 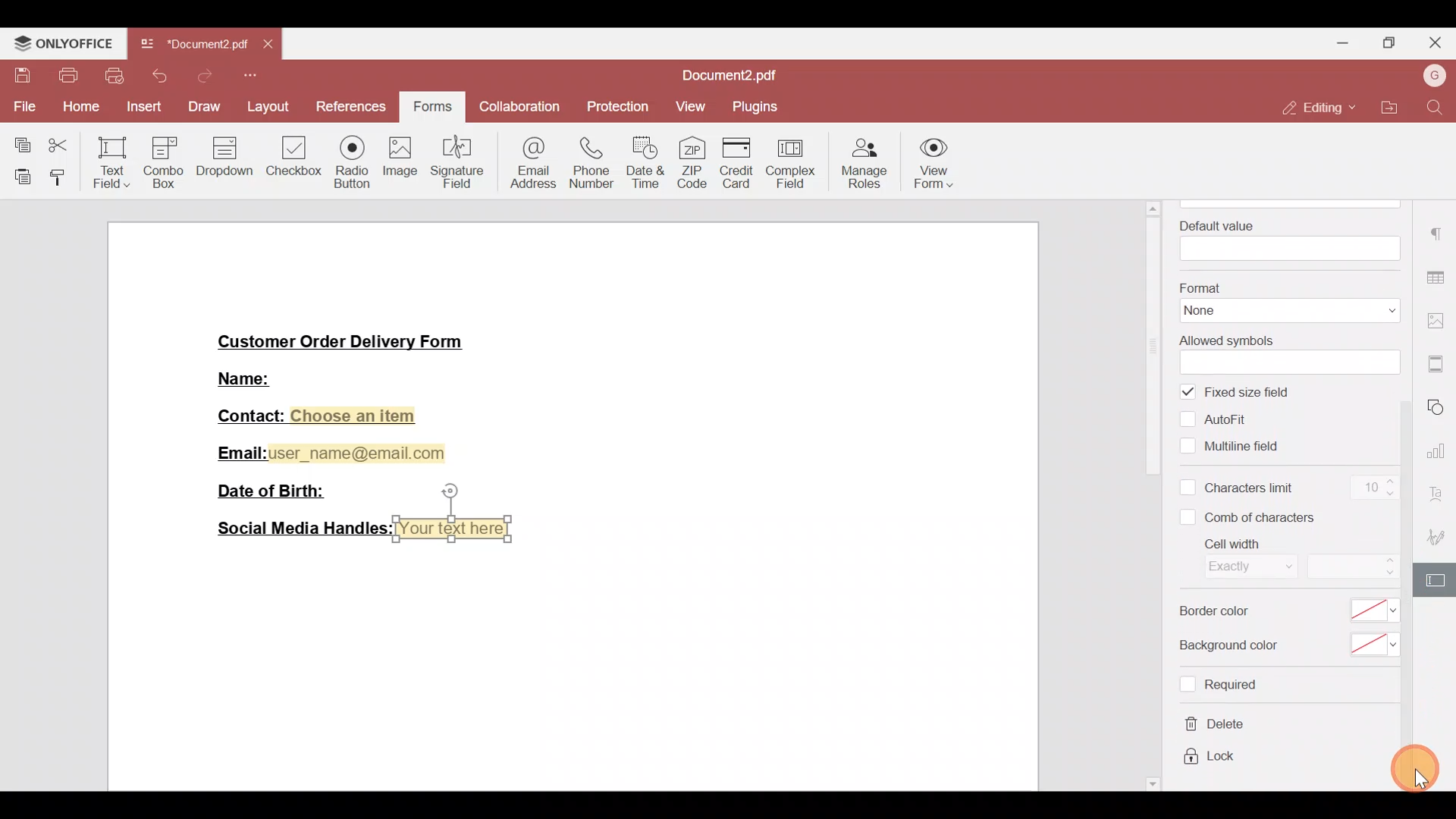 I want to click on Protection, so click(x=614, y=108).